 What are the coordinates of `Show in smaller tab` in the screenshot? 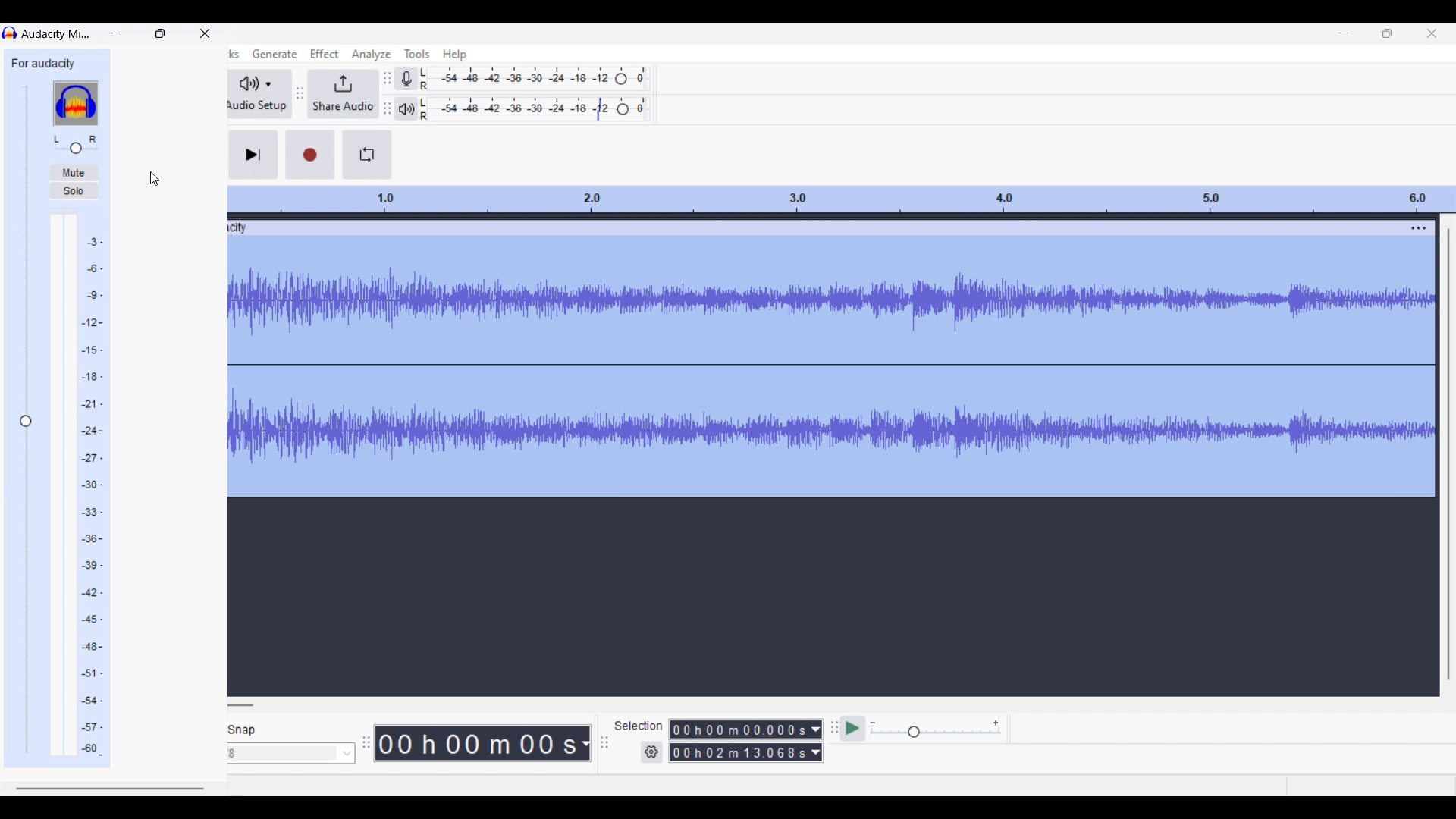 It's located at (160, 33).